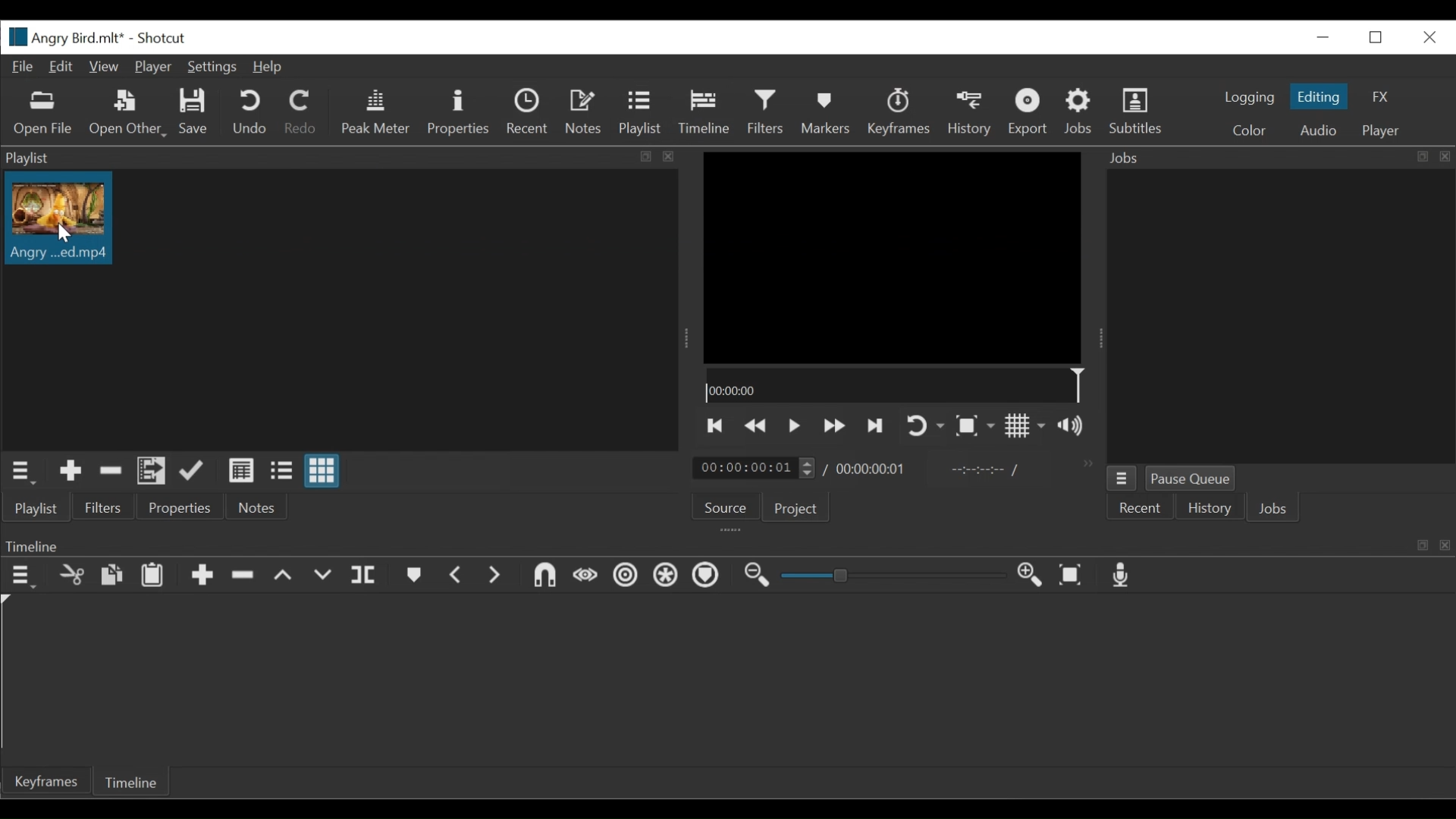 The width and height of the screenshot is (1456, 819). I want to click on Play backward quickly, so click(834, 426).